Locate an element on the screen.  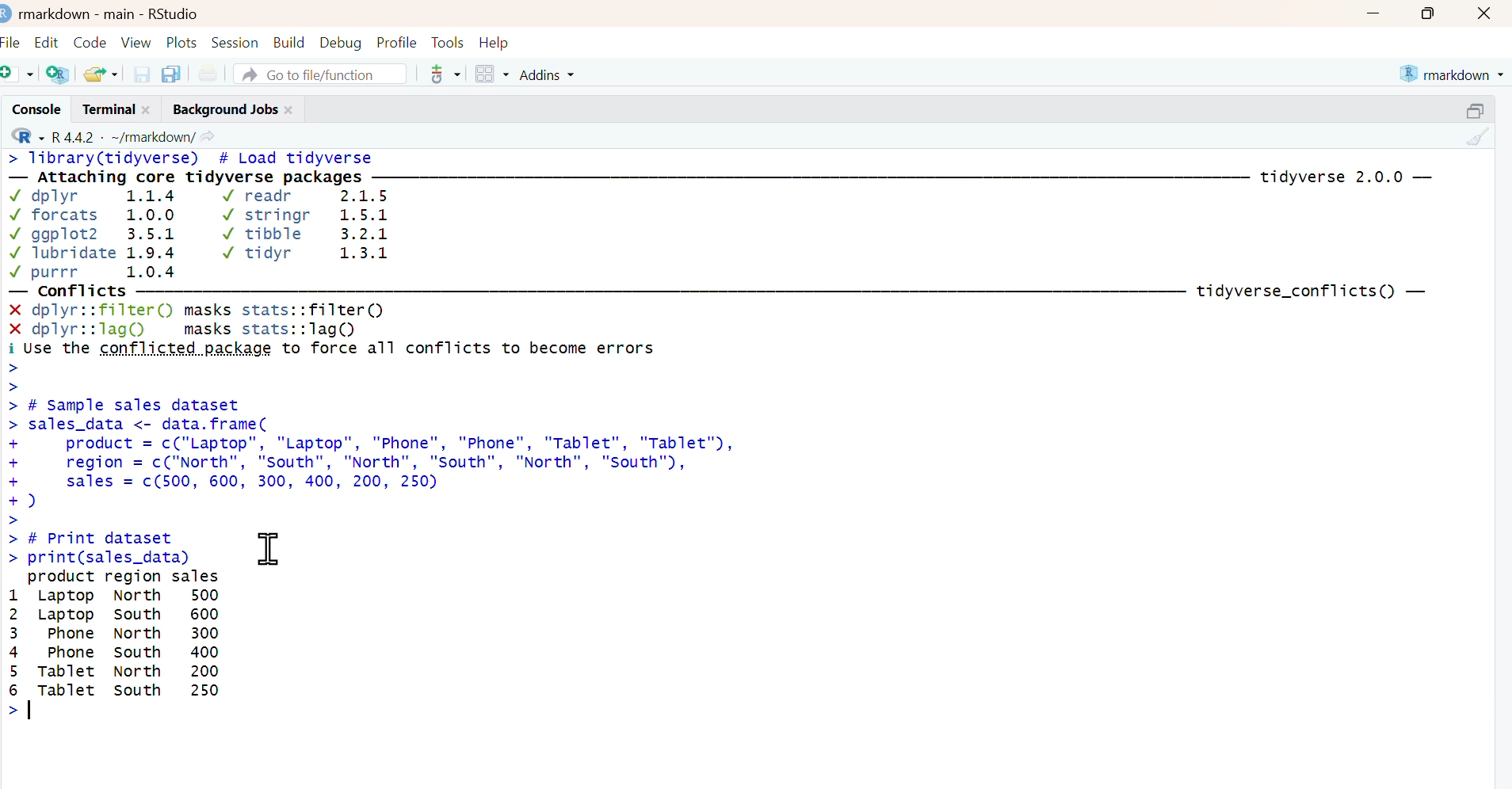
workspace panes is located at coordinates (492, 74).